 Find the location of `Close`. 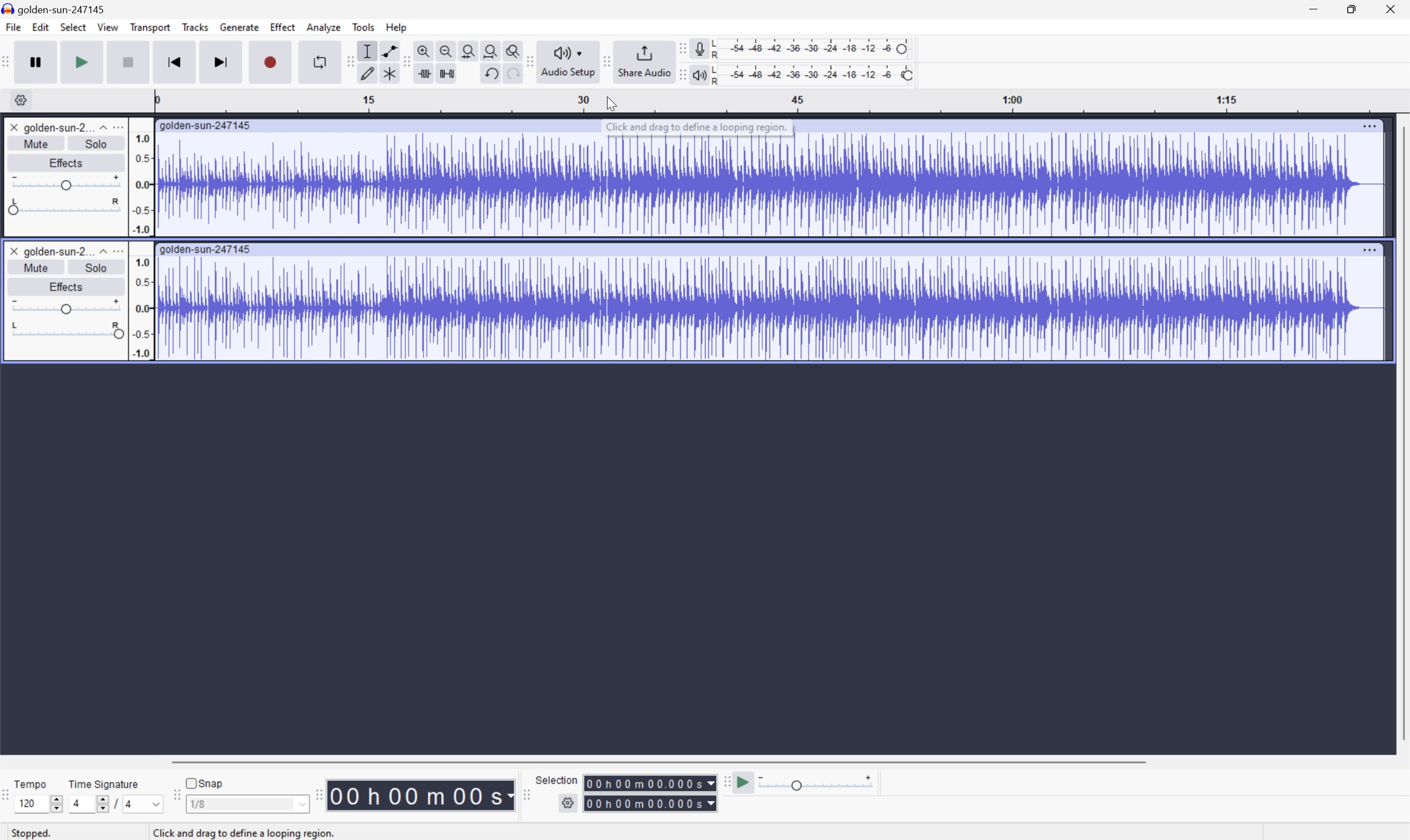

Close is located at coordinates (14, 127).